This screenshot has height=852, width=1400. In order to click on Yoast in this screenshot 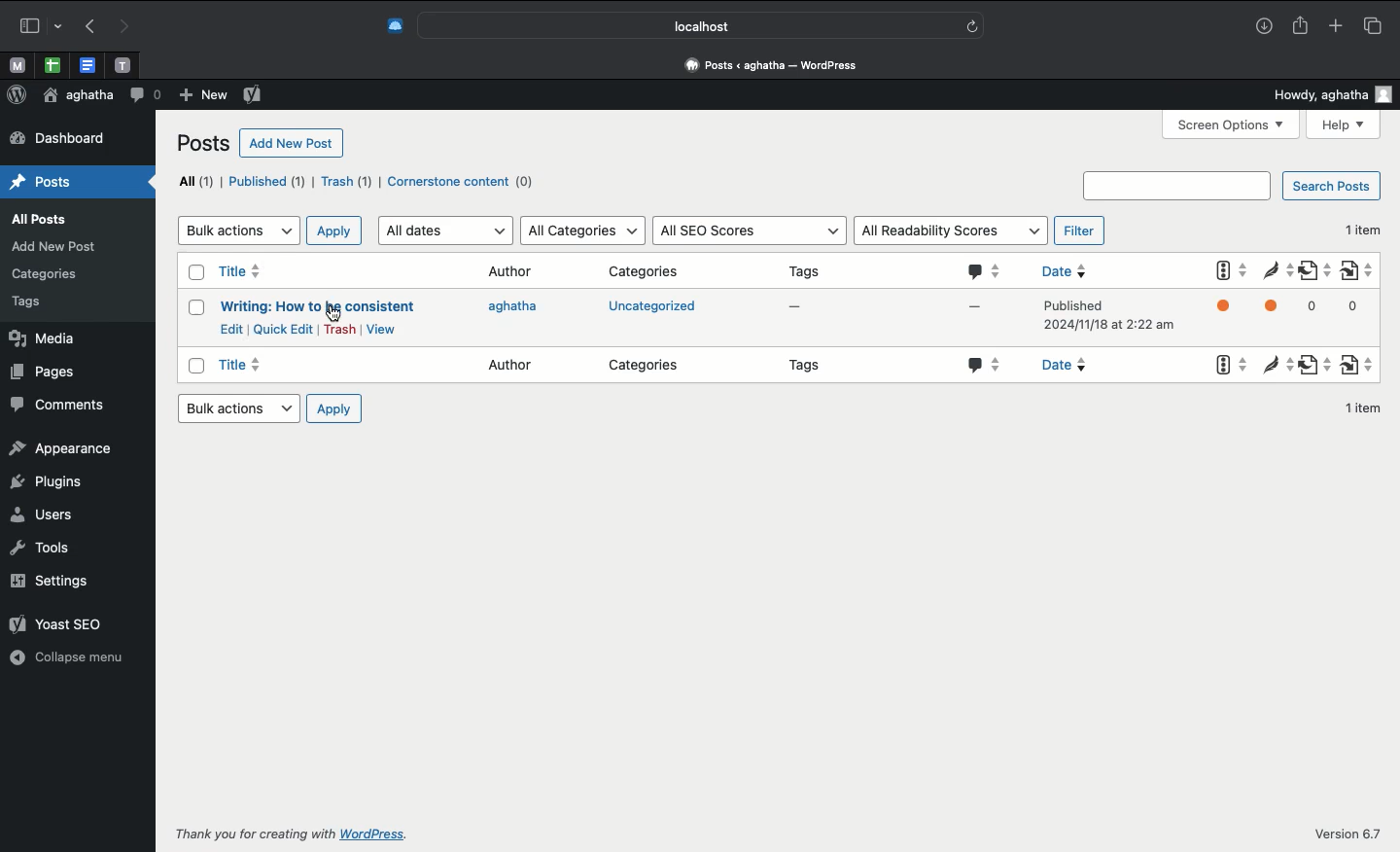, I will do `click(1231, 271)`.